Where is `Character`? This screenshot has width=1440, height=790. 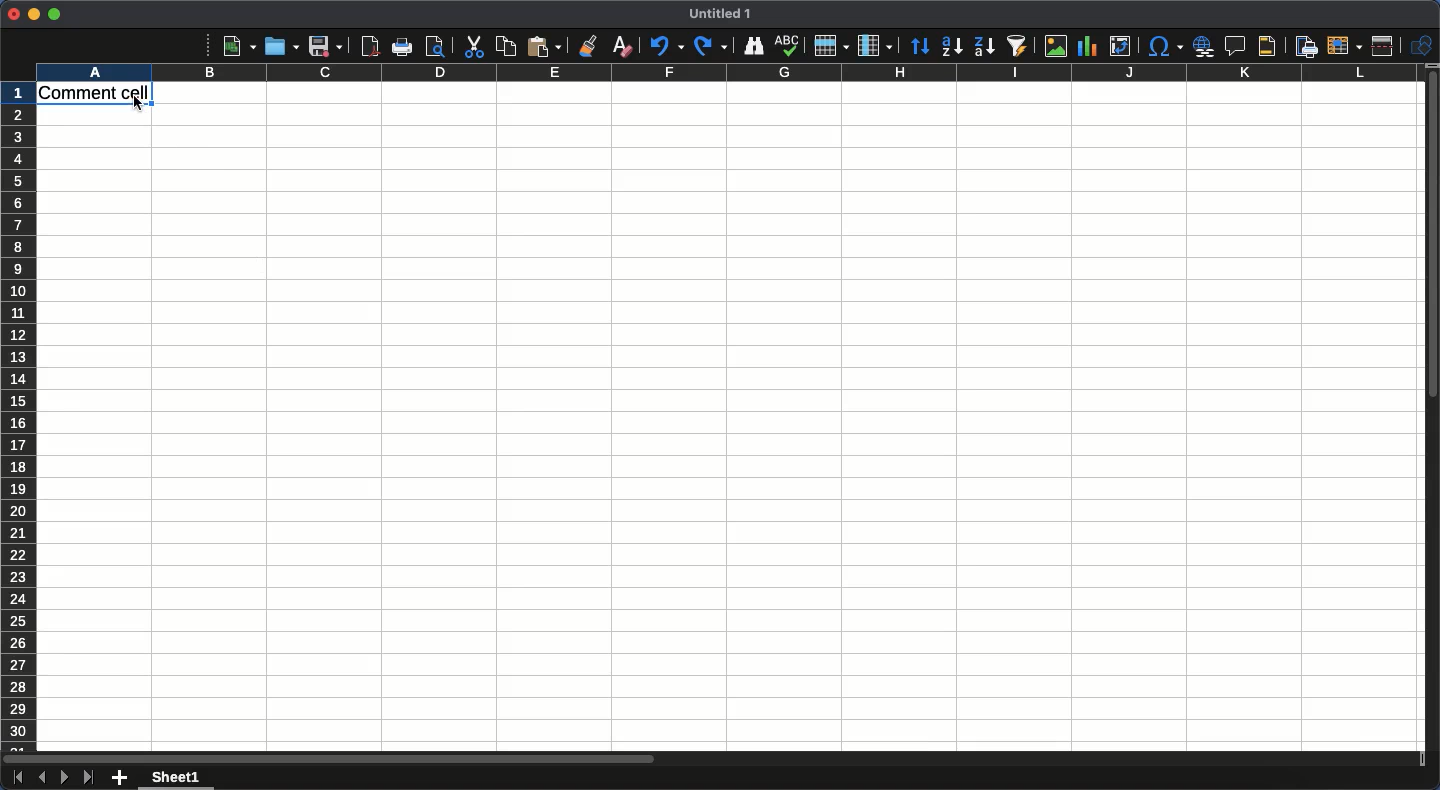 Character is located at coordinates (1165, 48).